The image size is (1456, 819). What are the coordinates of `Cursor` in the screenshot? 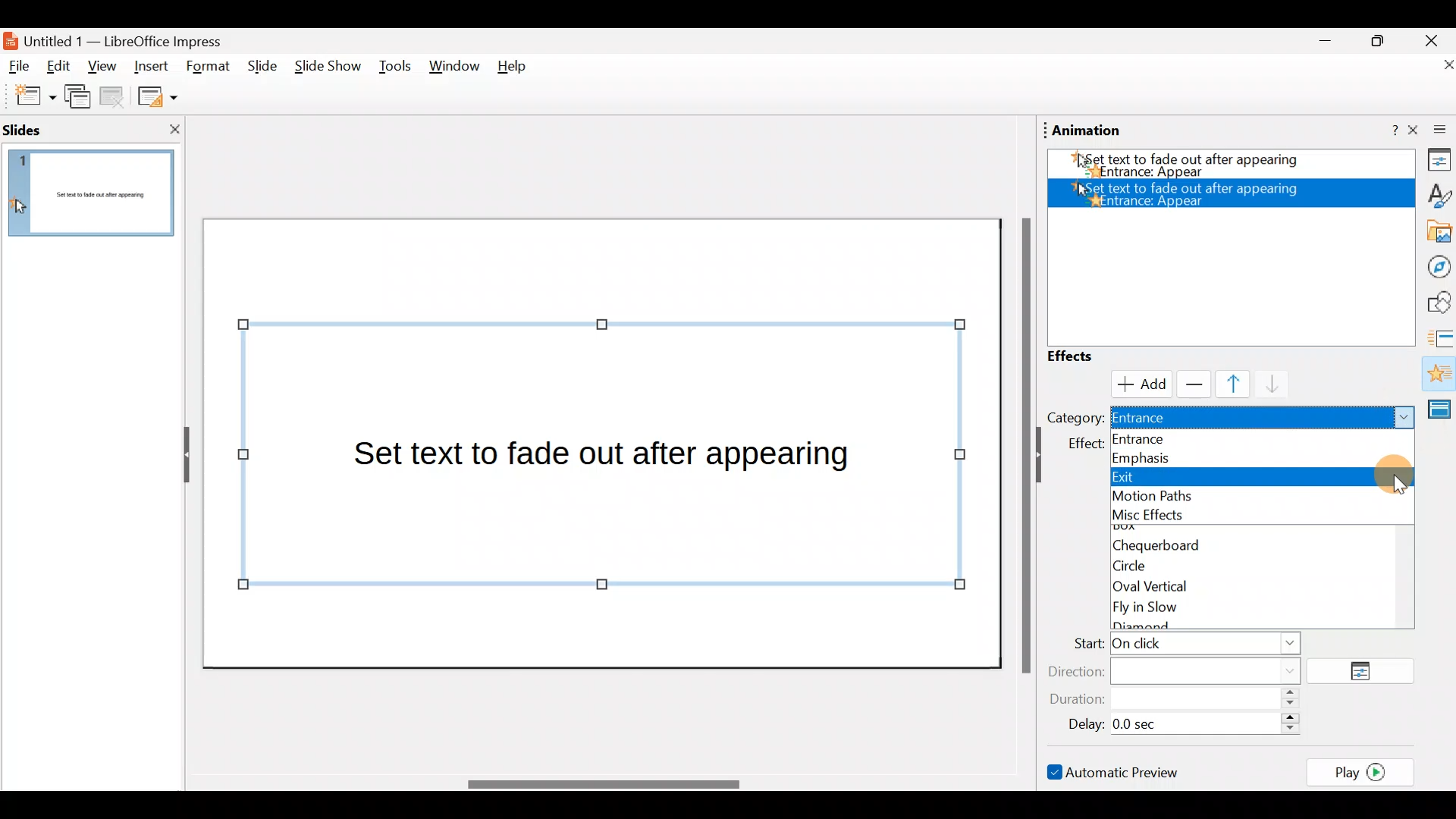 It's located at (1137, 385).